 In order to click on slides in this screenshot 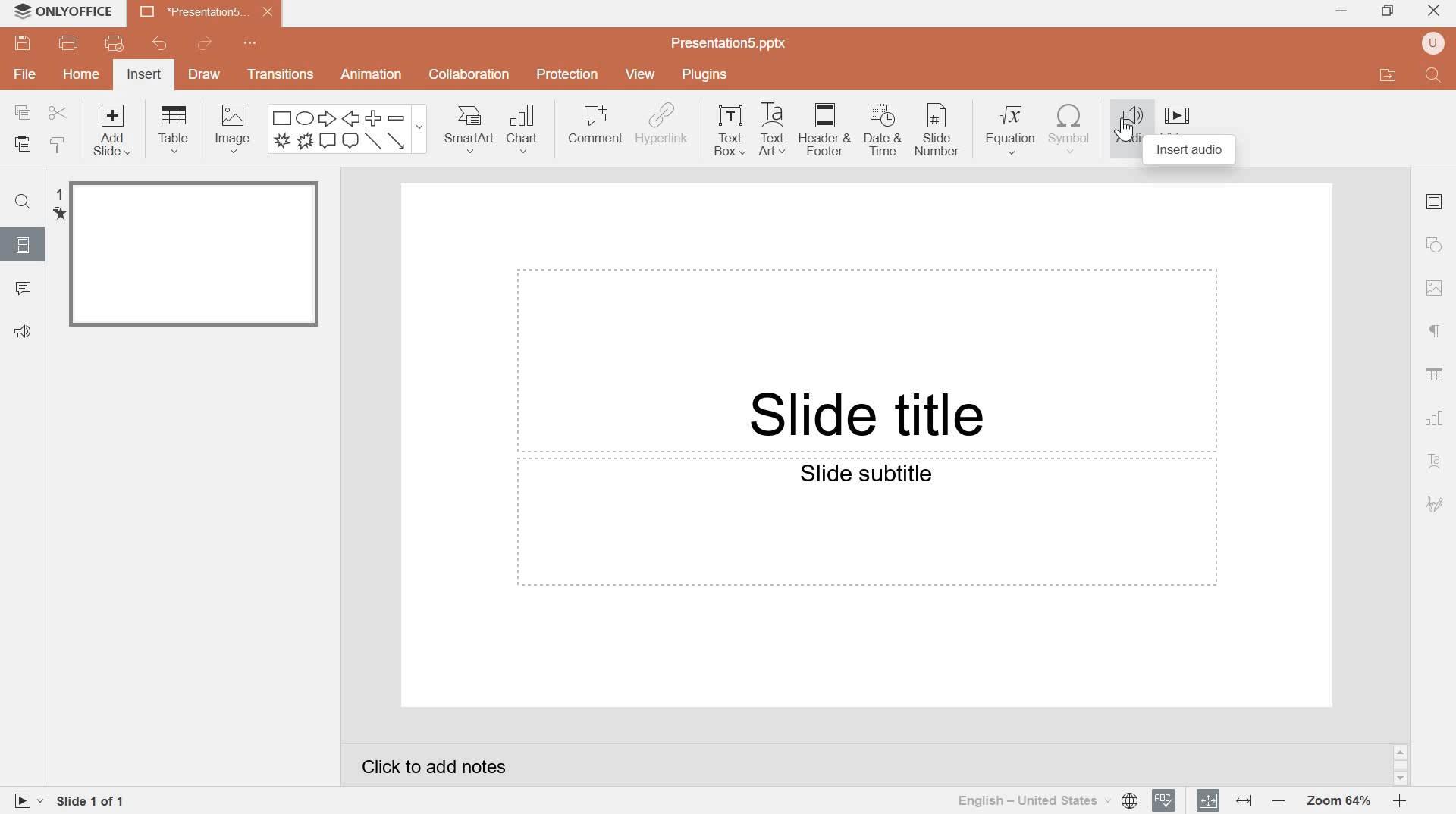, I will do `click(20, 244)`.